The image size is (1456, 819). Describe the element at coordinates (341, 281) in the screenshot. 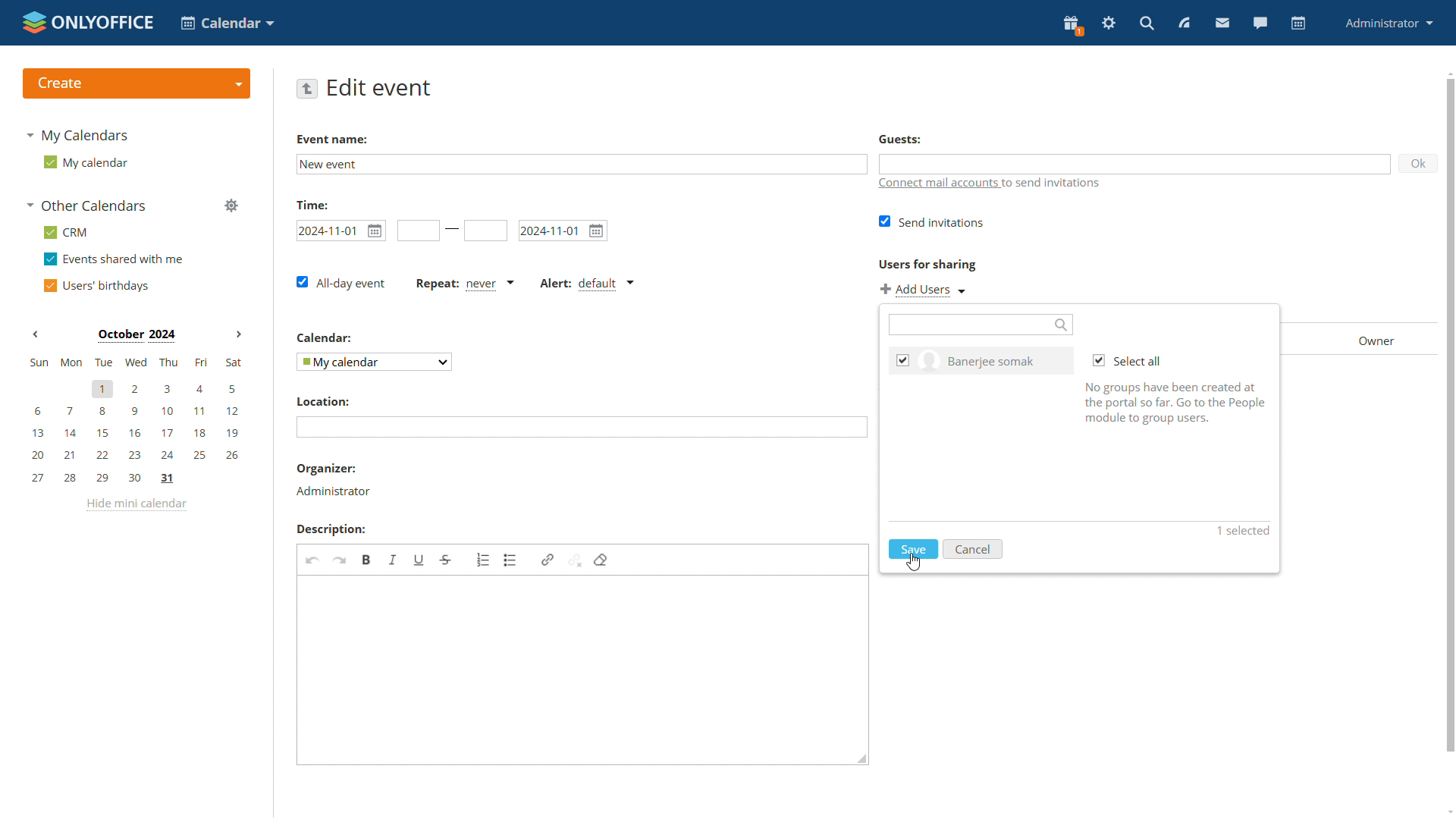

I see `all-day event checkbox` at that location.